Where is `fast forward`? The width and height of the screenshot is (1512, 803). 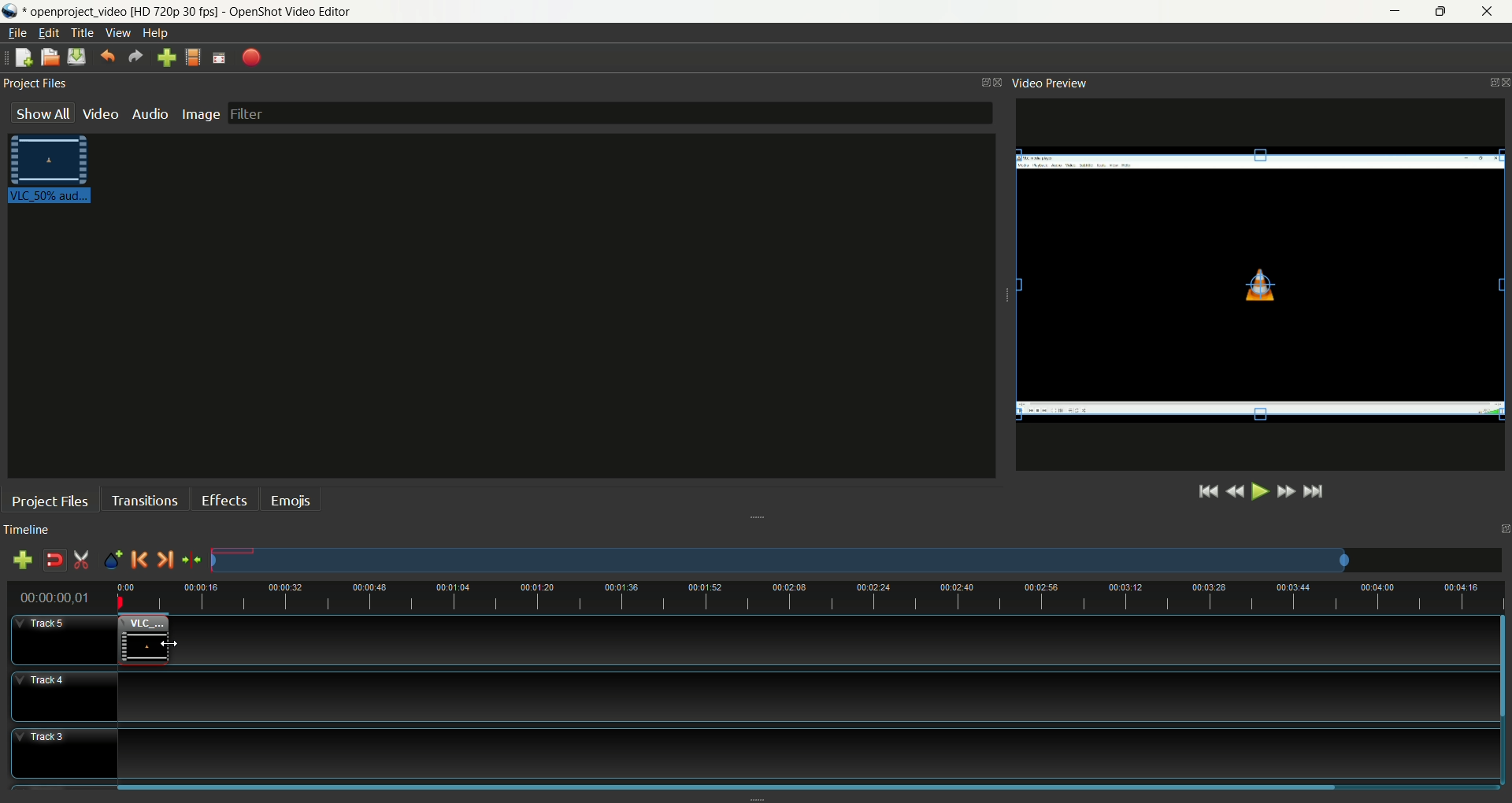
fast forward is located at coordinates (1287, 491).